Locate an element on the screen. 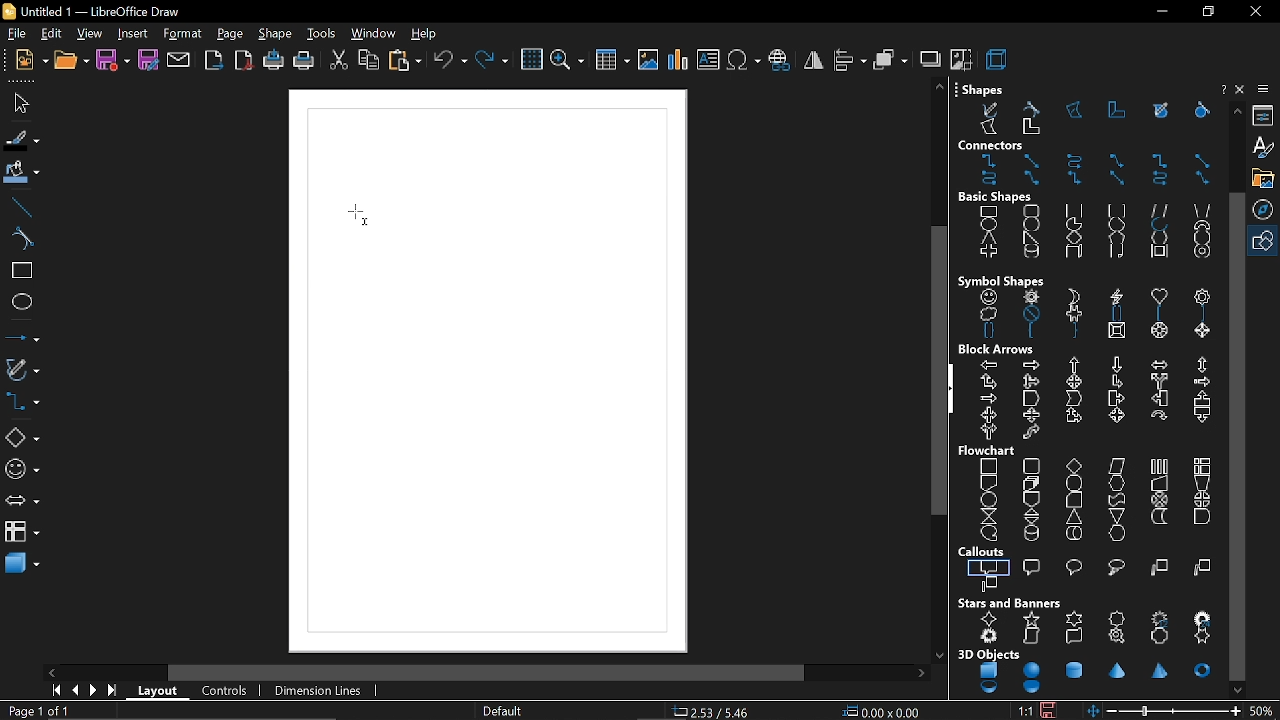  curved connector with arrows is located at coordinates (1161, 179).